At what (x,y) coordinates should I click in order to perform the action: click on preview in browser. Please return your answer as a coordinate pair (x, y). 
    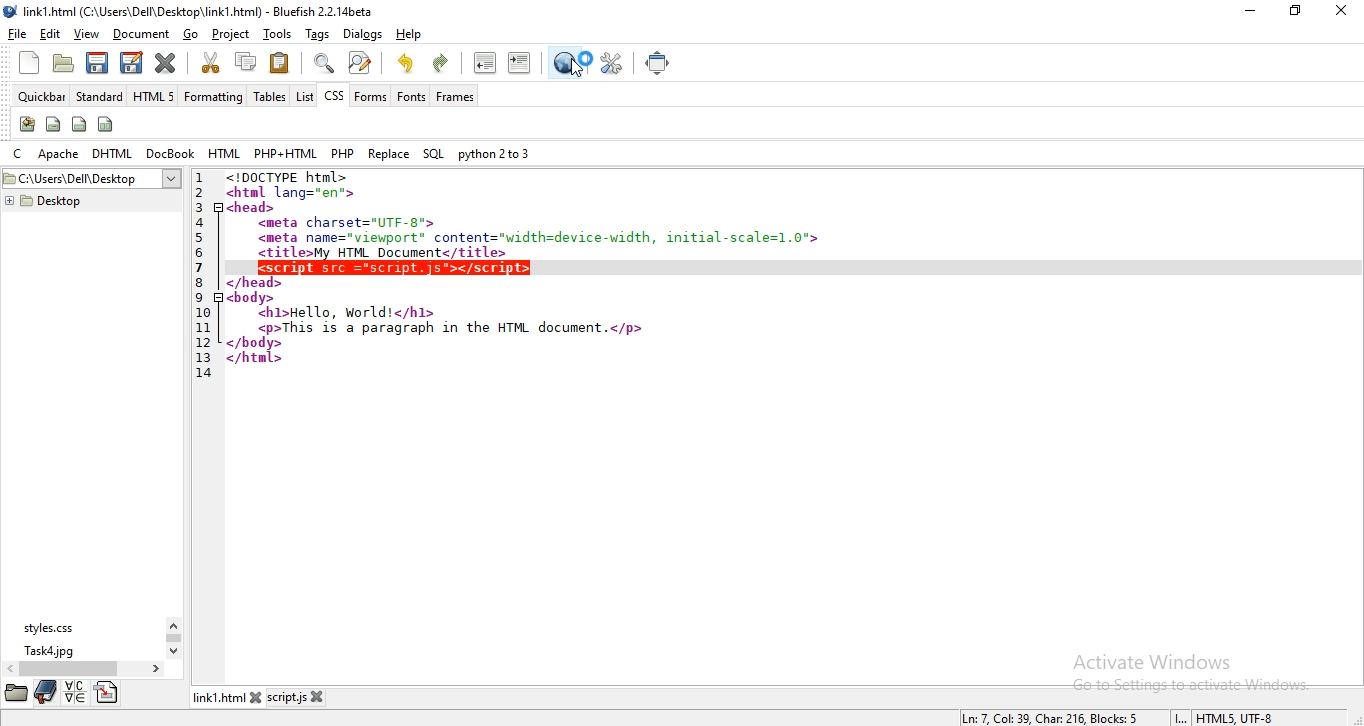
    Looking at the image, I should click on (566, 62).